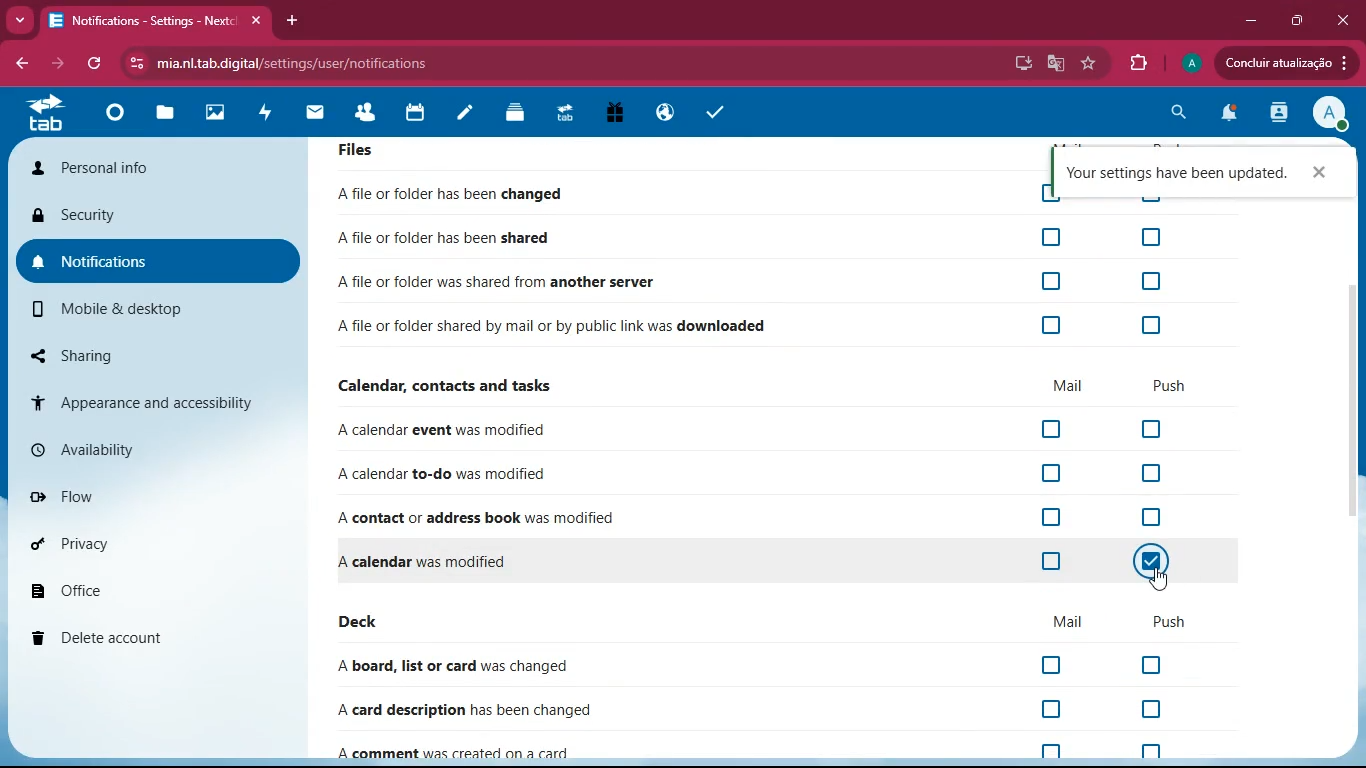 This screenshot has height=768, width=1366. Describe the element at coordinates (366, 619) in the screenshot. I see `deck` at that location.